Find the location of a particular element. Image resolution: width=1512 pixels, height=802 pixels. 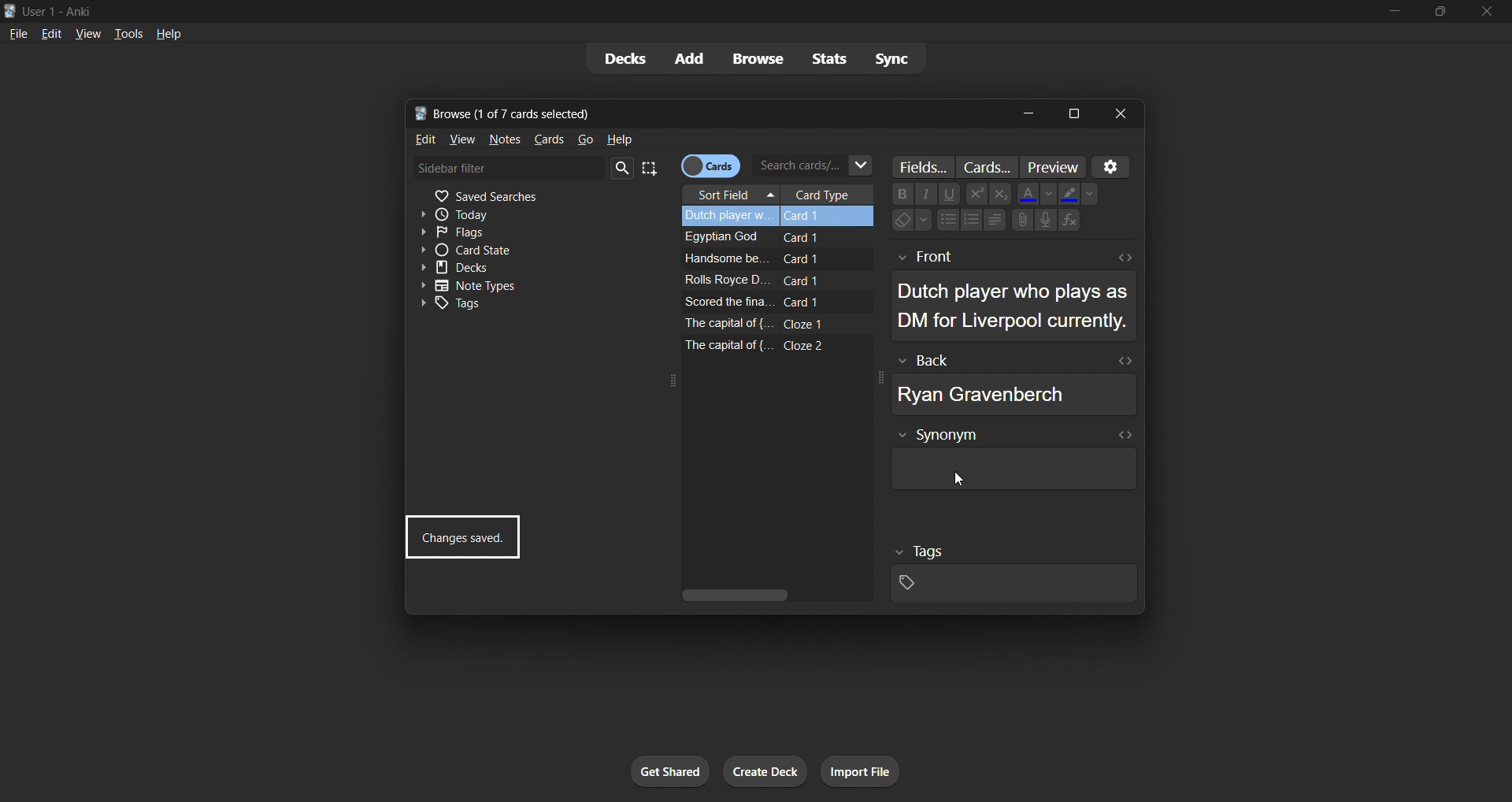

selected card back data is located at coordinates (1008, 384).